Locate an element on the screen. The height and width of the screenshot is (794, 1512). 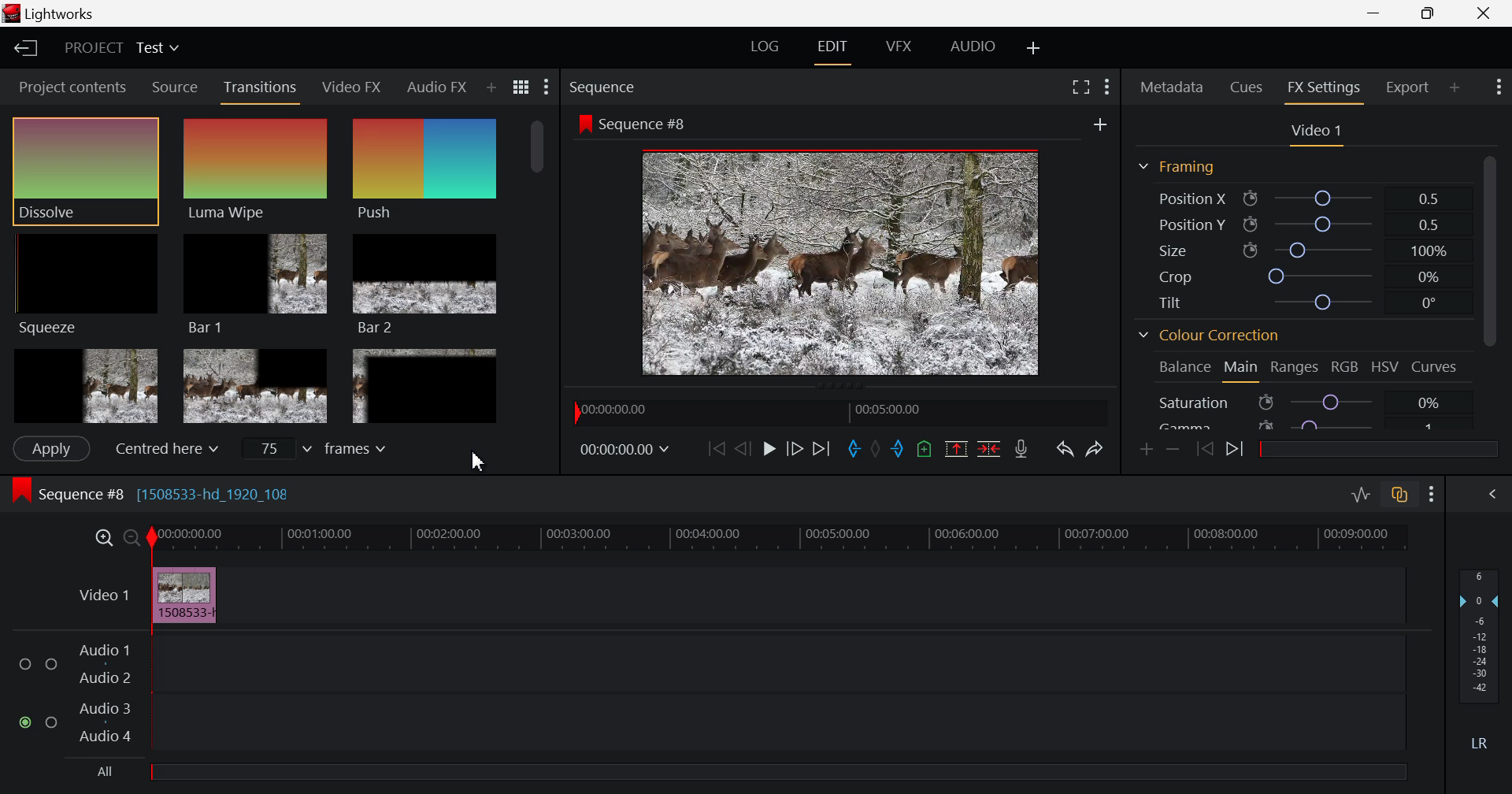
Back to Homepage is located at coordinates (24, 49).